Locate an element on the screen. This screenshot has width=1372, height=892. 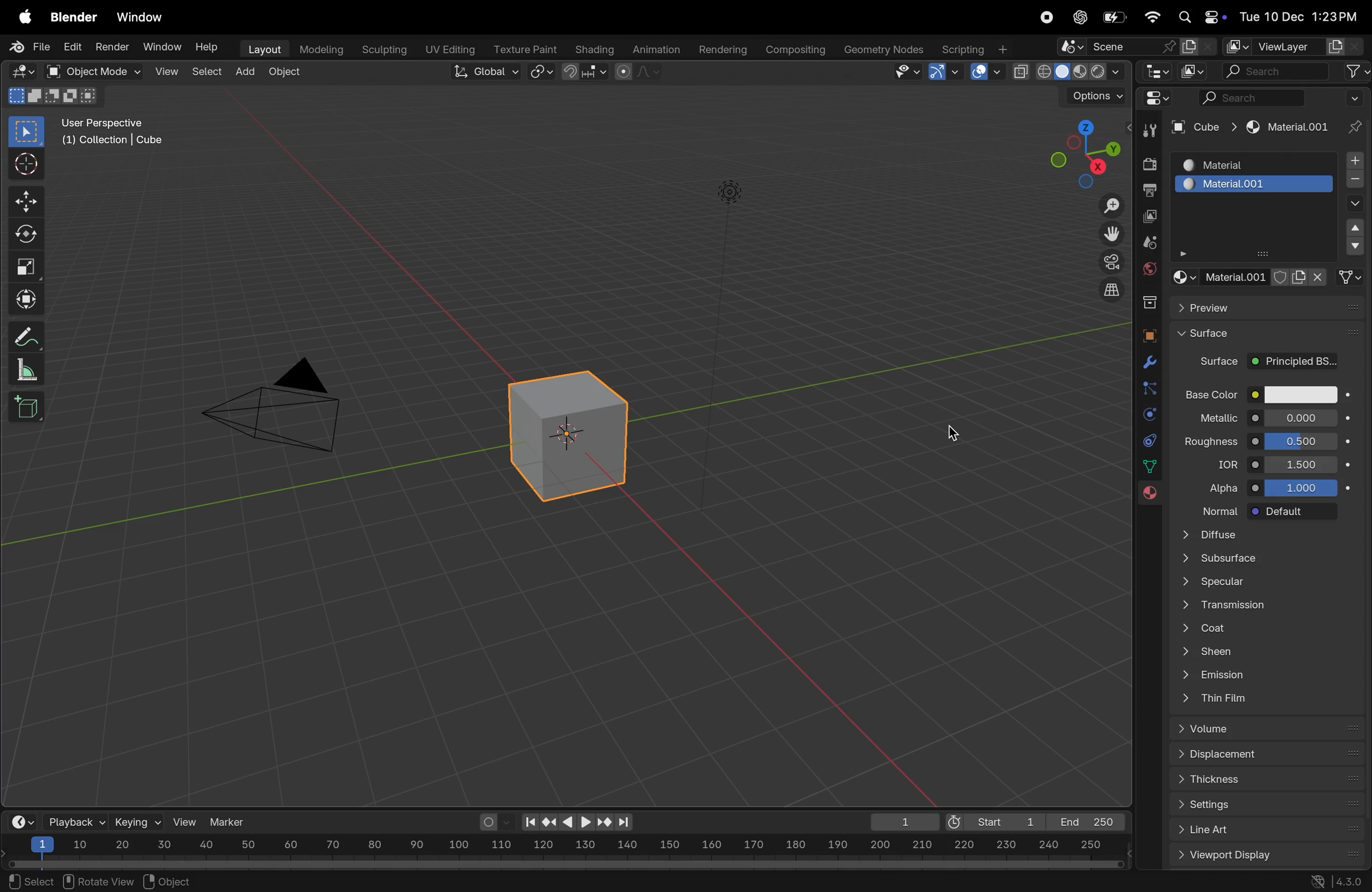
view port display is located at coordinates (1269, 856).